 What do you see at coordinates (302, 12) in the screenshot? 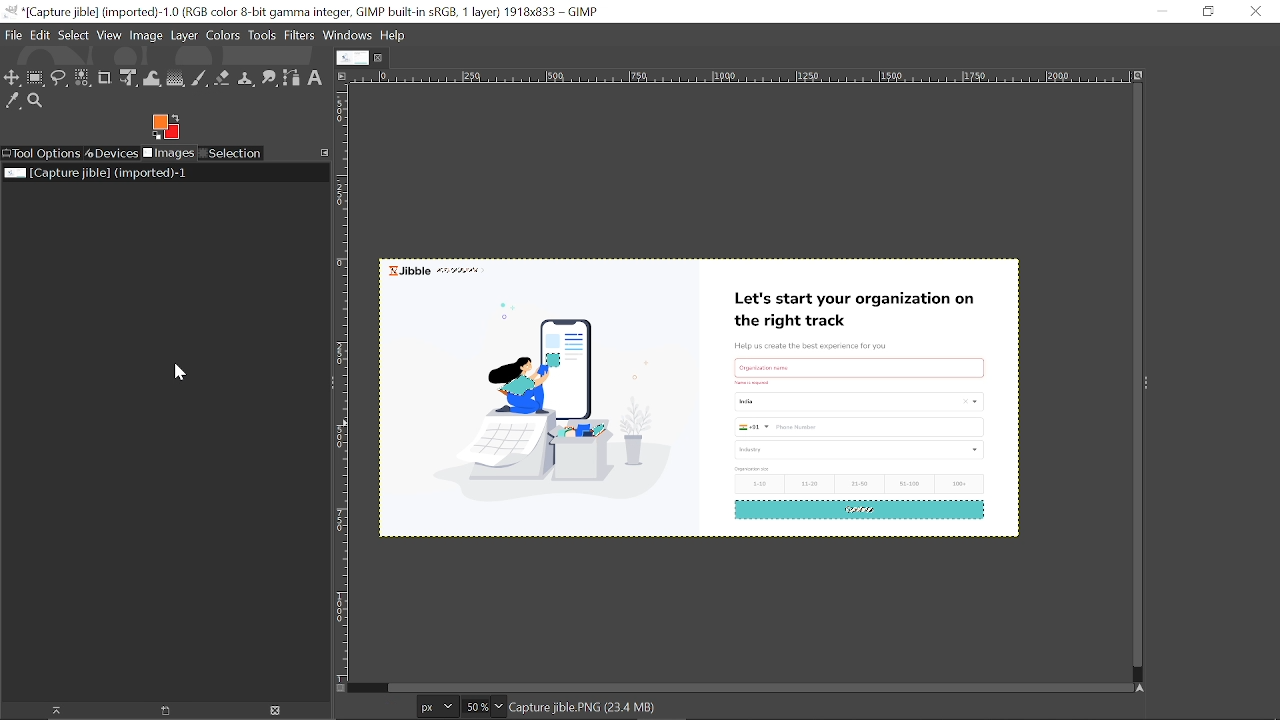
I see `Current window` at bounding box center [302, 12].